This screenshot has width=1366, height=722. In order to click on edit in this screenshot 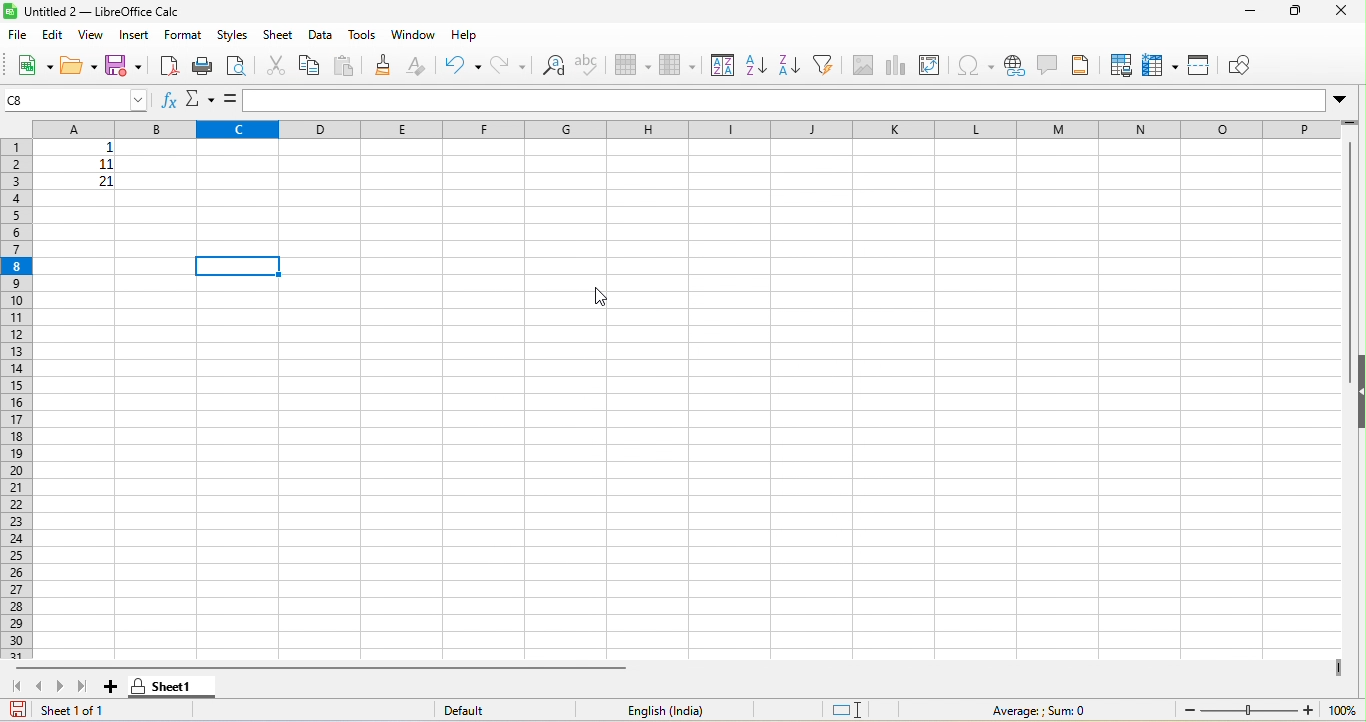, I will do `click(51, 35)`.